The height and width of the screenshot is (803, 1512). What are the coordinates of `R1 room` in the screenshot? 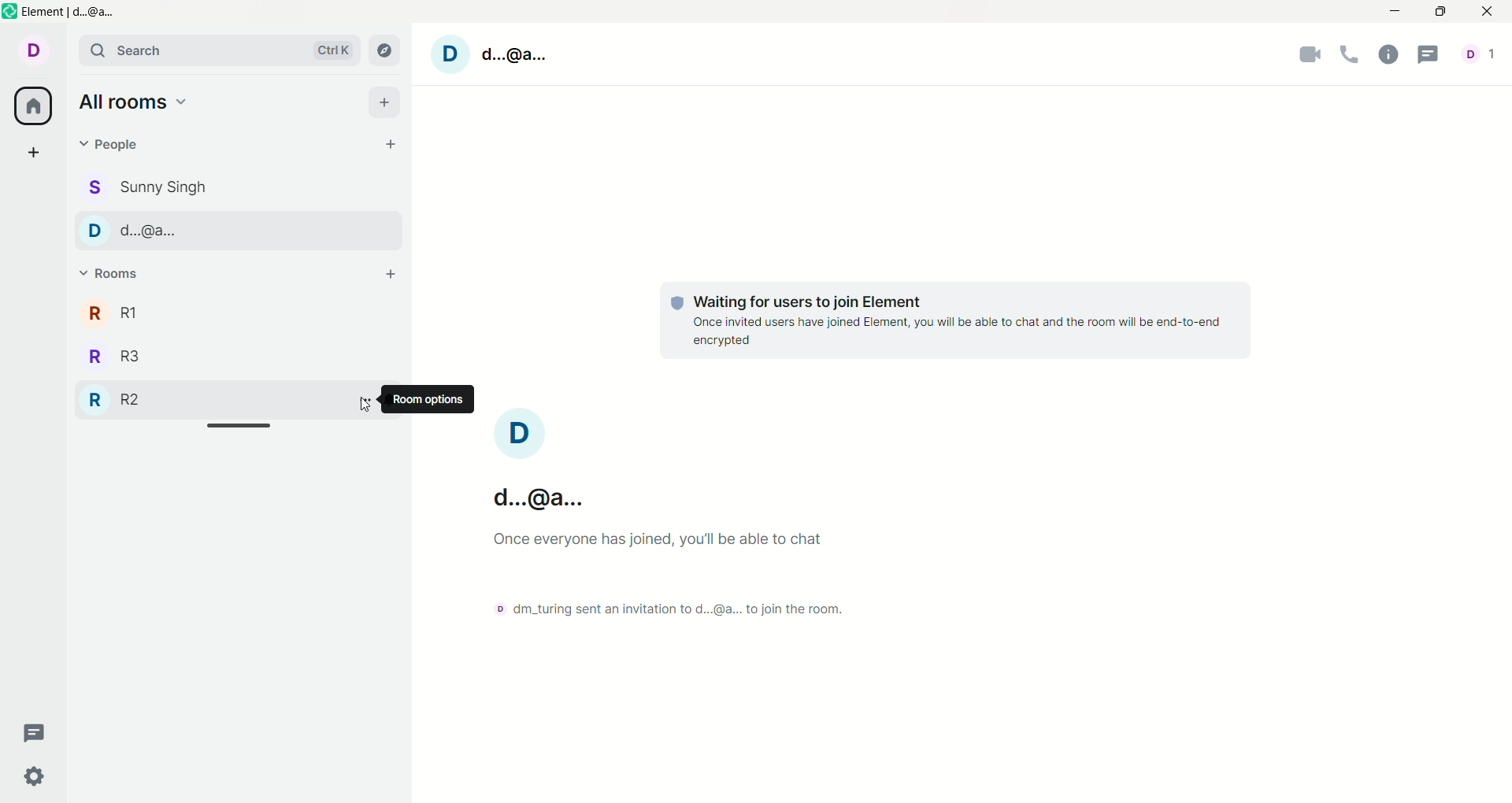 It's located at (121, 313).